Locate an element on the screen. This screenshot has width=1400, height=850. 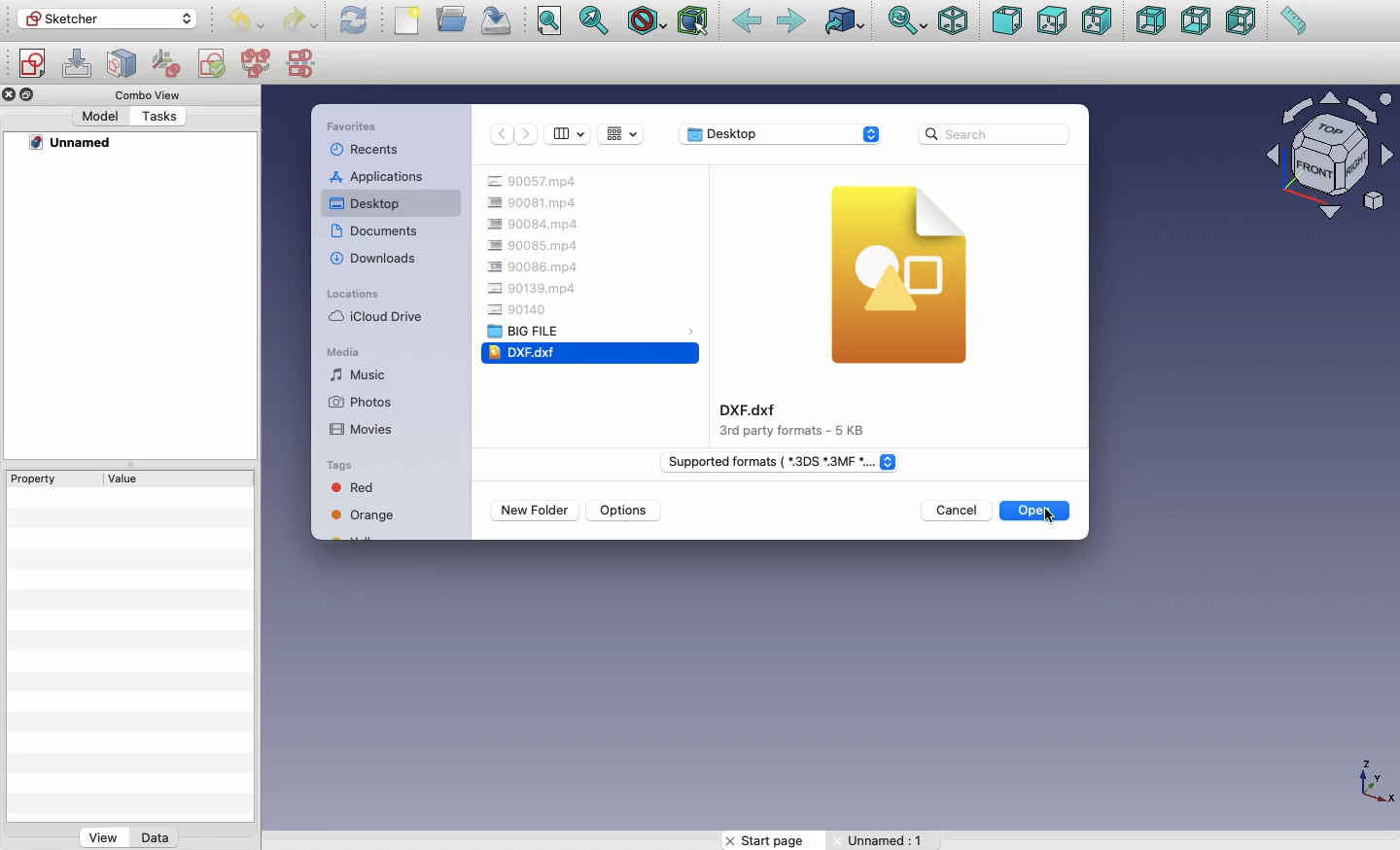
Bounding box is located at coordinates (695, 20).